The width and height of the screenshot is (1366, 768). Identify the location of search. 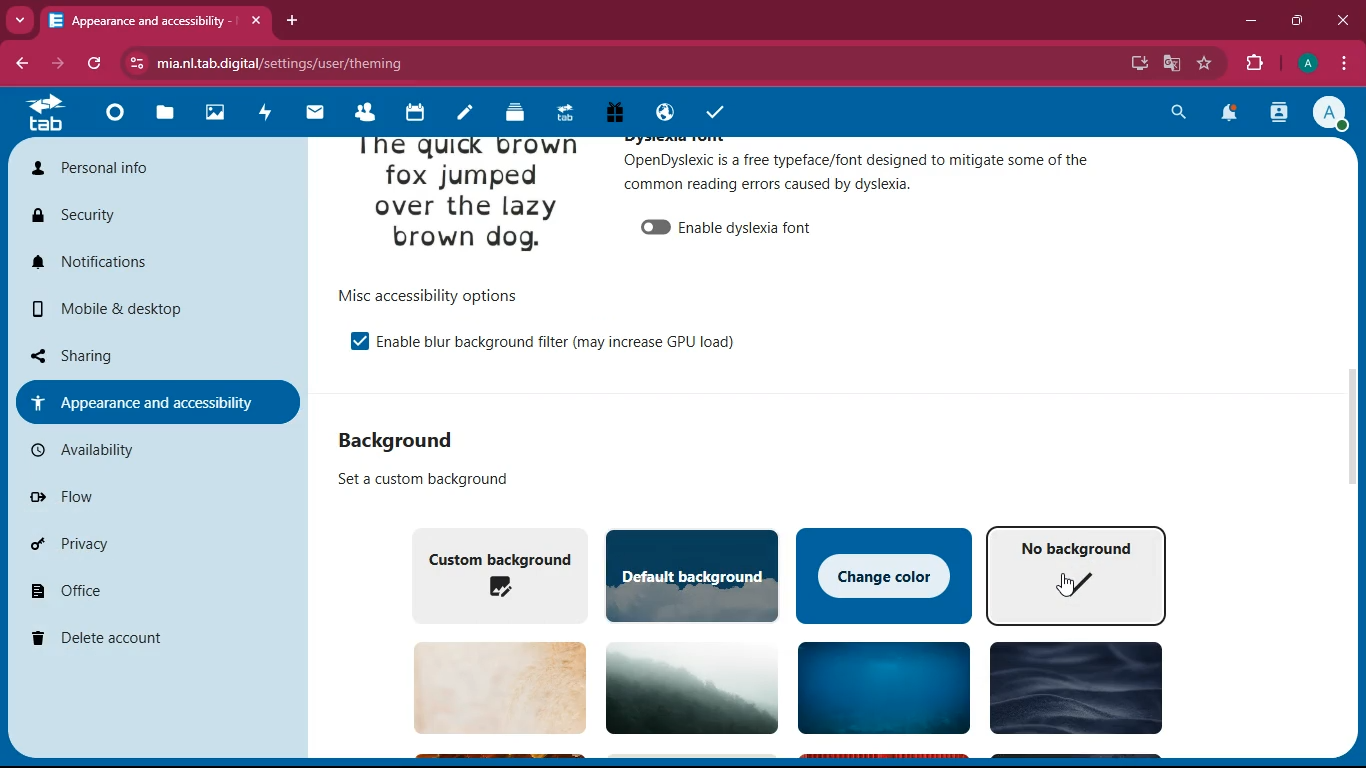
(1181, 112).